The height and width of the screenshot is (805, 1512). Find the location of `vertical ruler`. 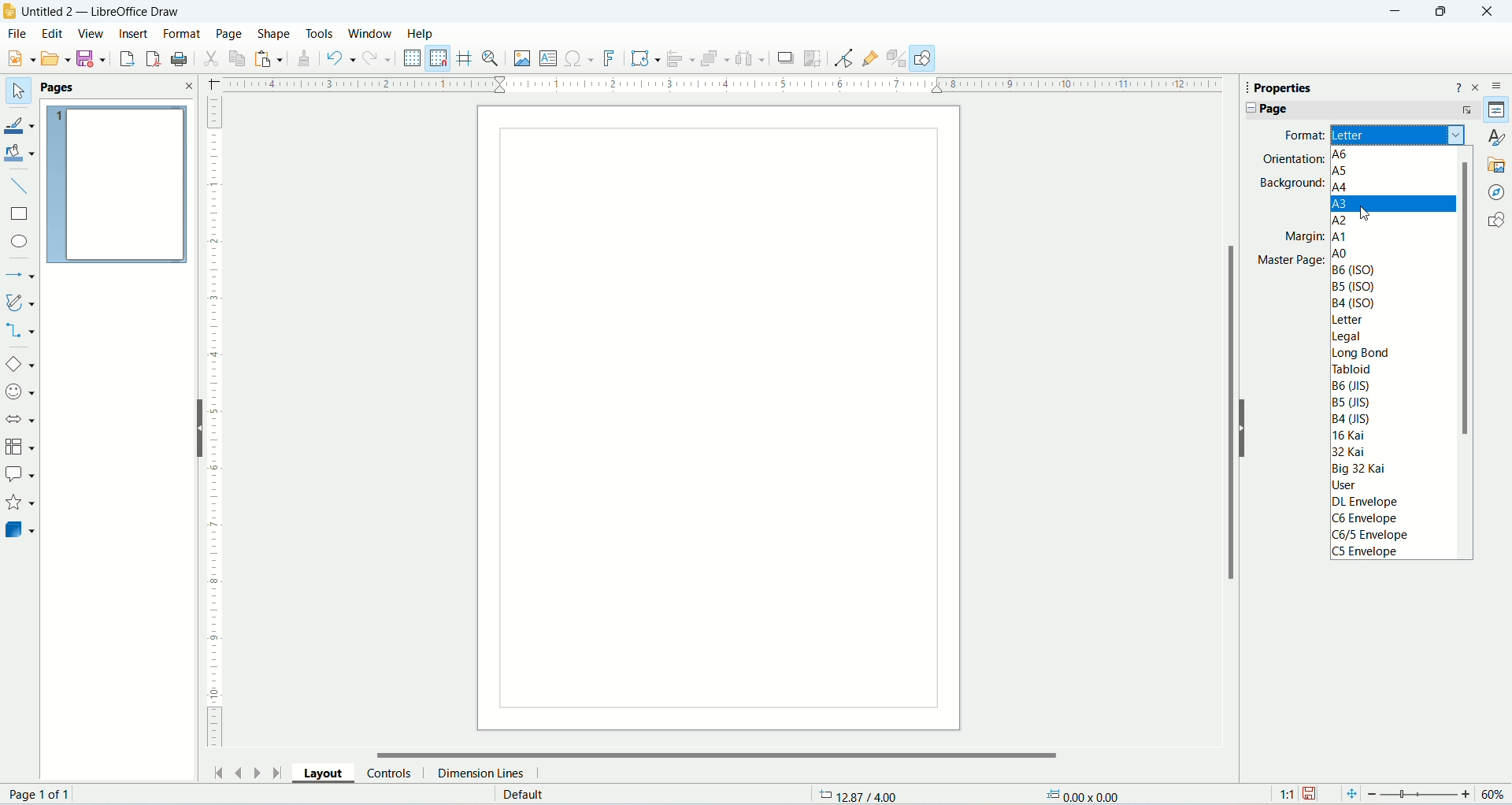

vertical ruler is located at coordinates (214, 420).